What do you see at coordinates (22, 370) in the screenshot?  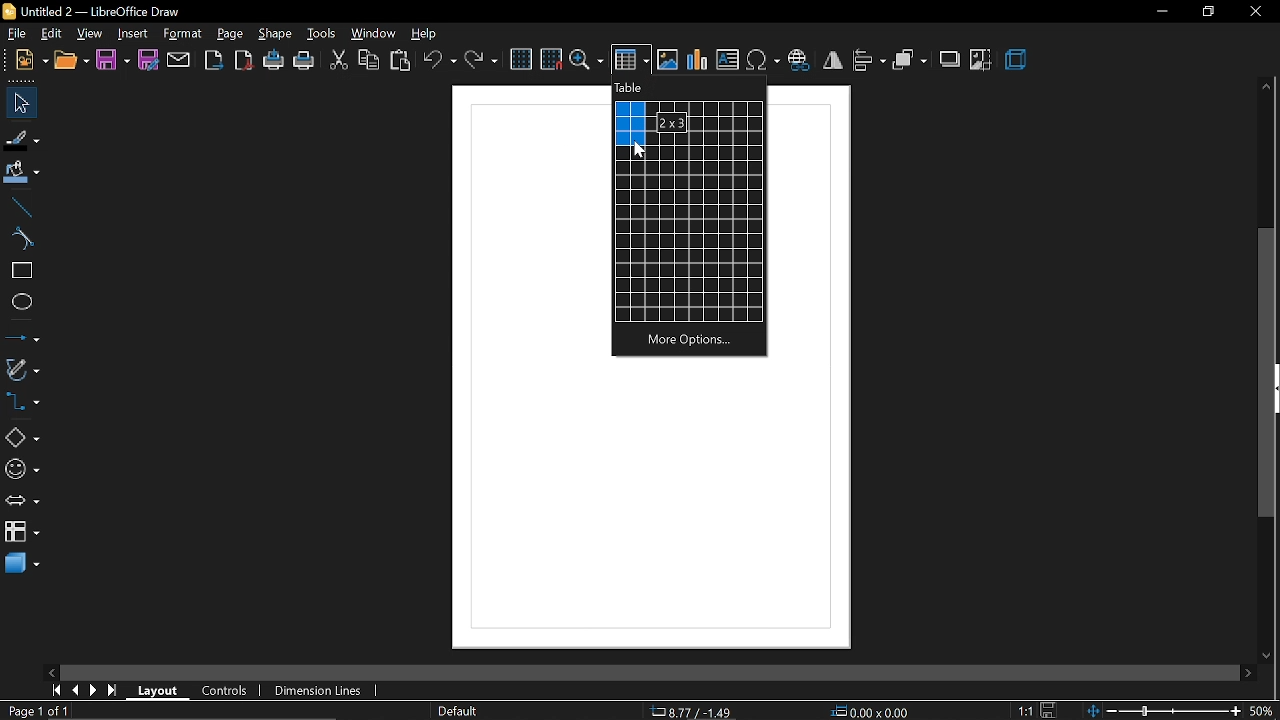 I see `curves and polygons` at bounding box center [22, 370].